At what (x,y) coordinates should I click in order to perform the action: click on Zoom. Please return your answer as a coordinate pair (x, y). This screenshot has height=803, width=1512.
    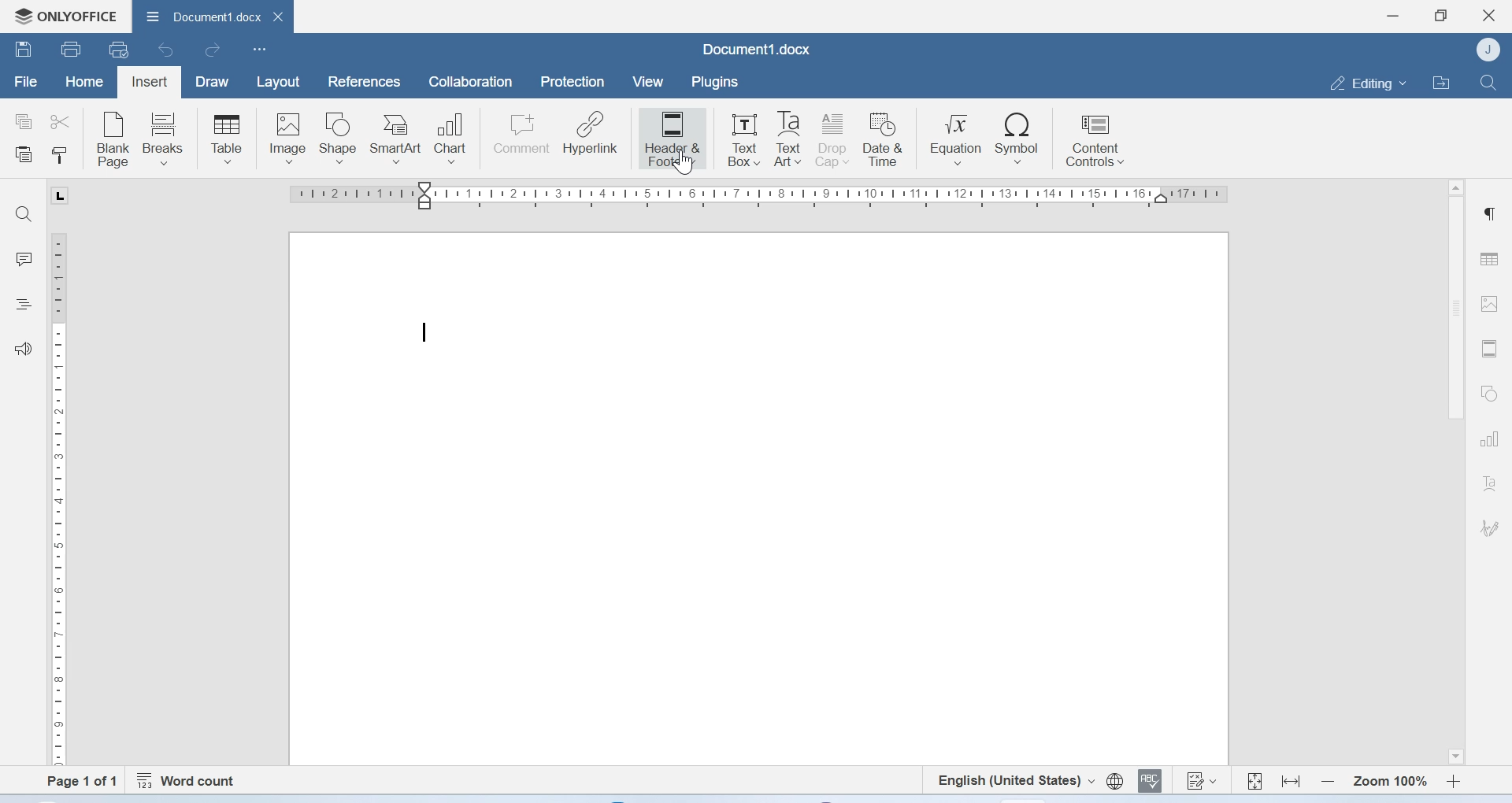
    Looking at the image, I should click on (1389, 779).